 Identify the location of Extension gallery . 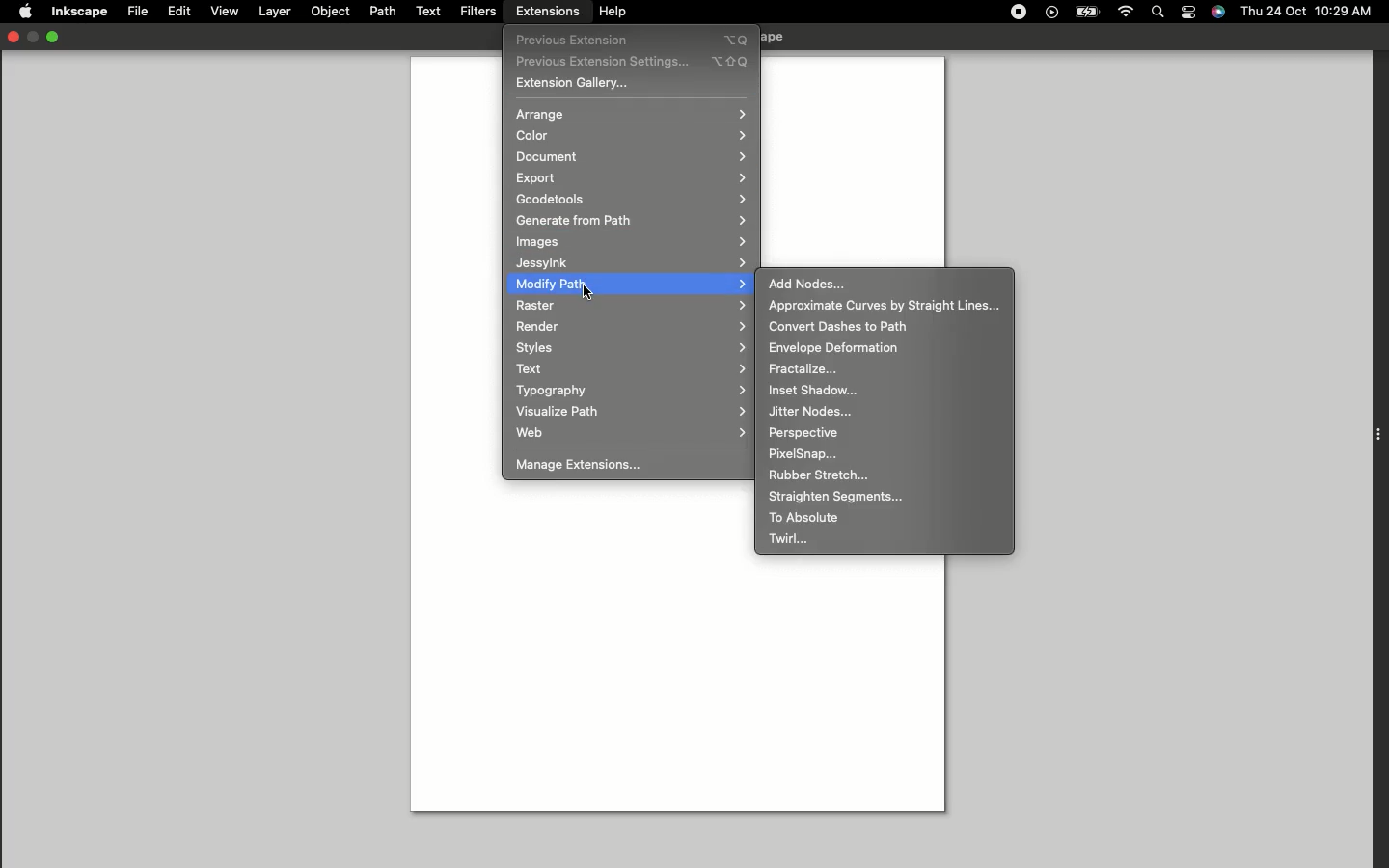
(576, 83).